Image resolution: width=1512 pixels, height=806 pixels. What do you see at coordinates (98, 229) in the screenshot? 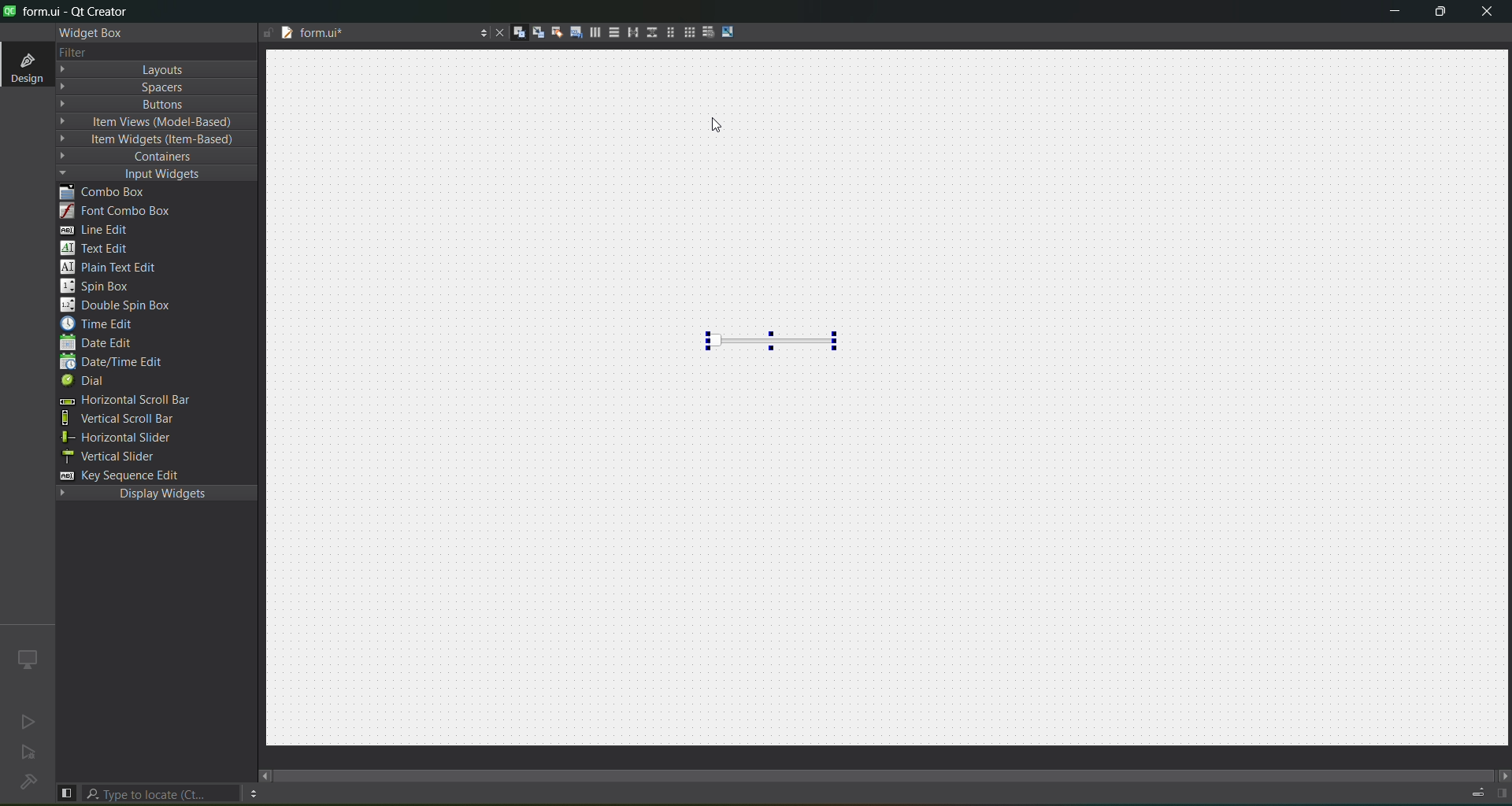
I see `line edit` at bounding box center [98, 229].